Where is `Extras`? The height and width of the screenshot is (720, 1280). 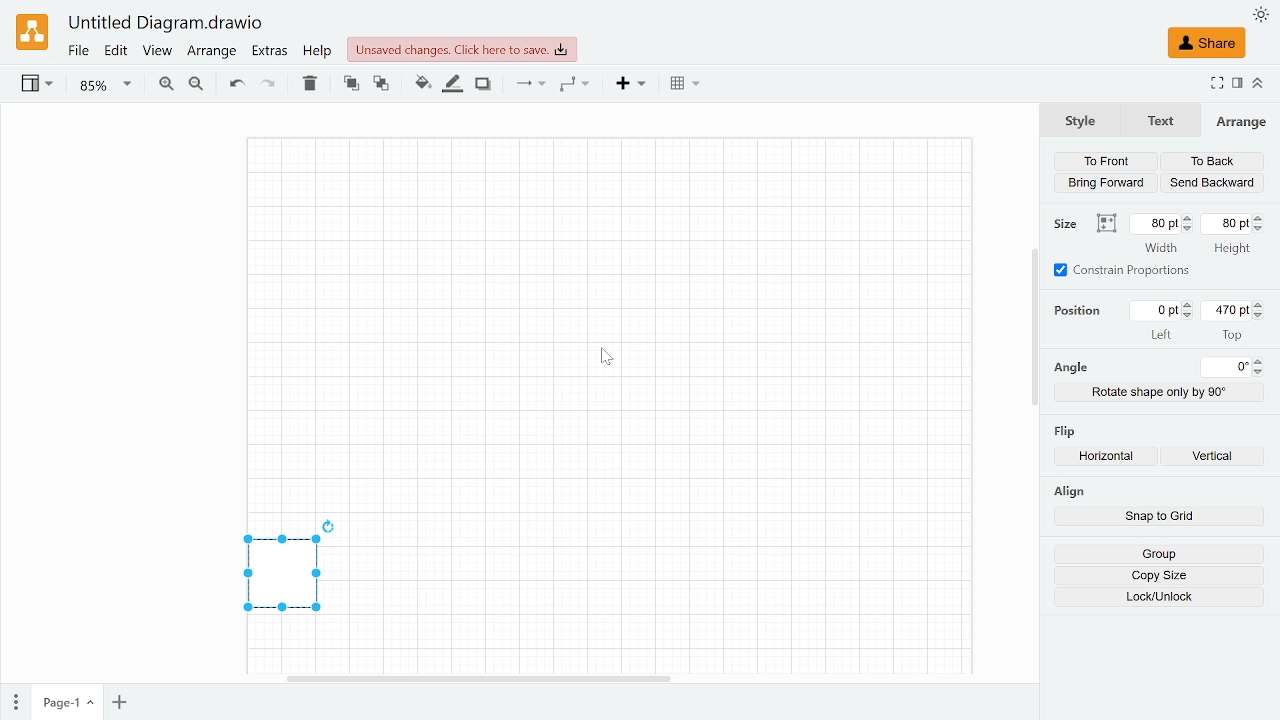 Extras is located at coordinates (271, 52).